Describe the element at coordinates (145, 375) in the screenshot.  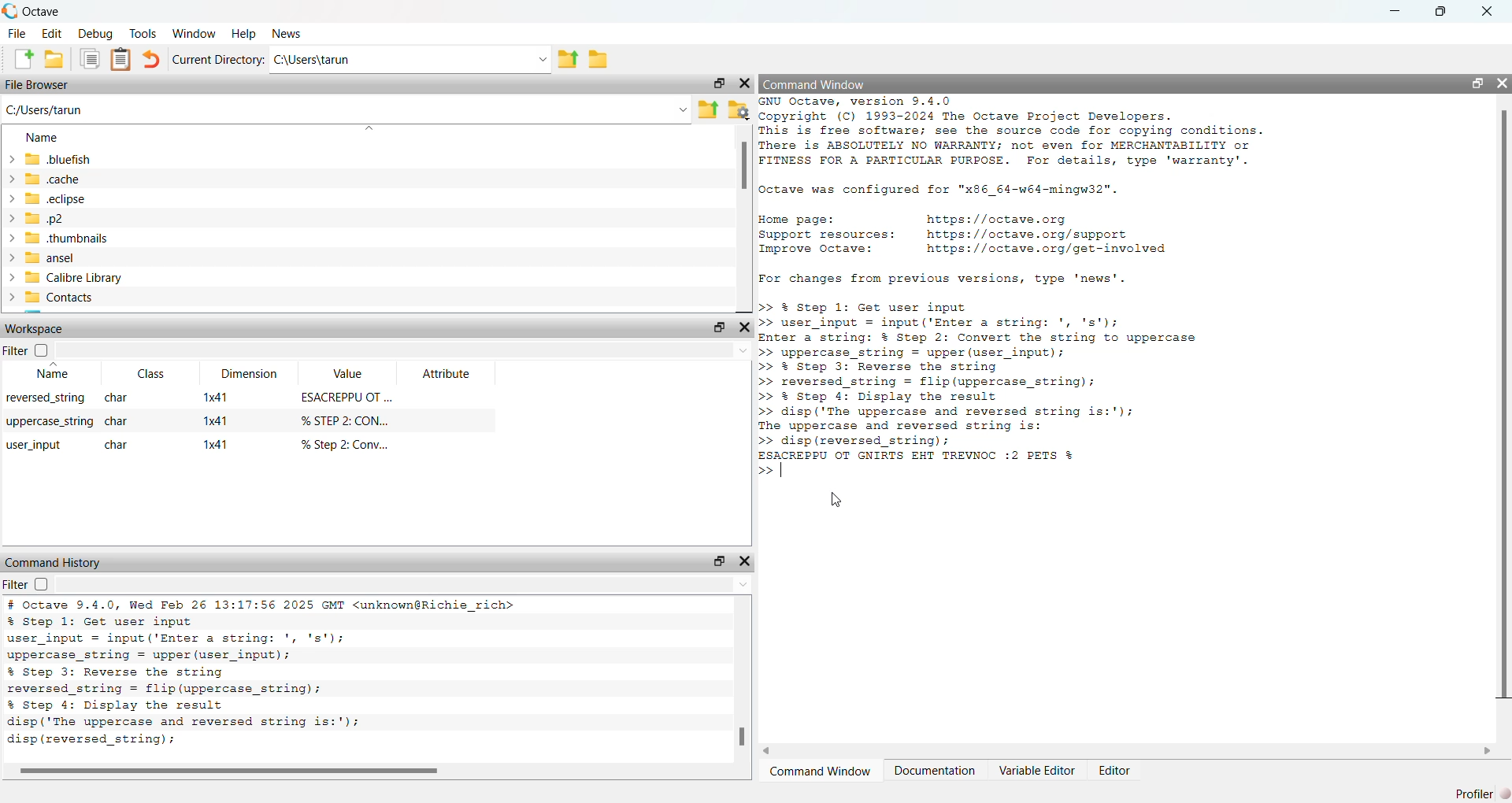
I see `class` at that location.